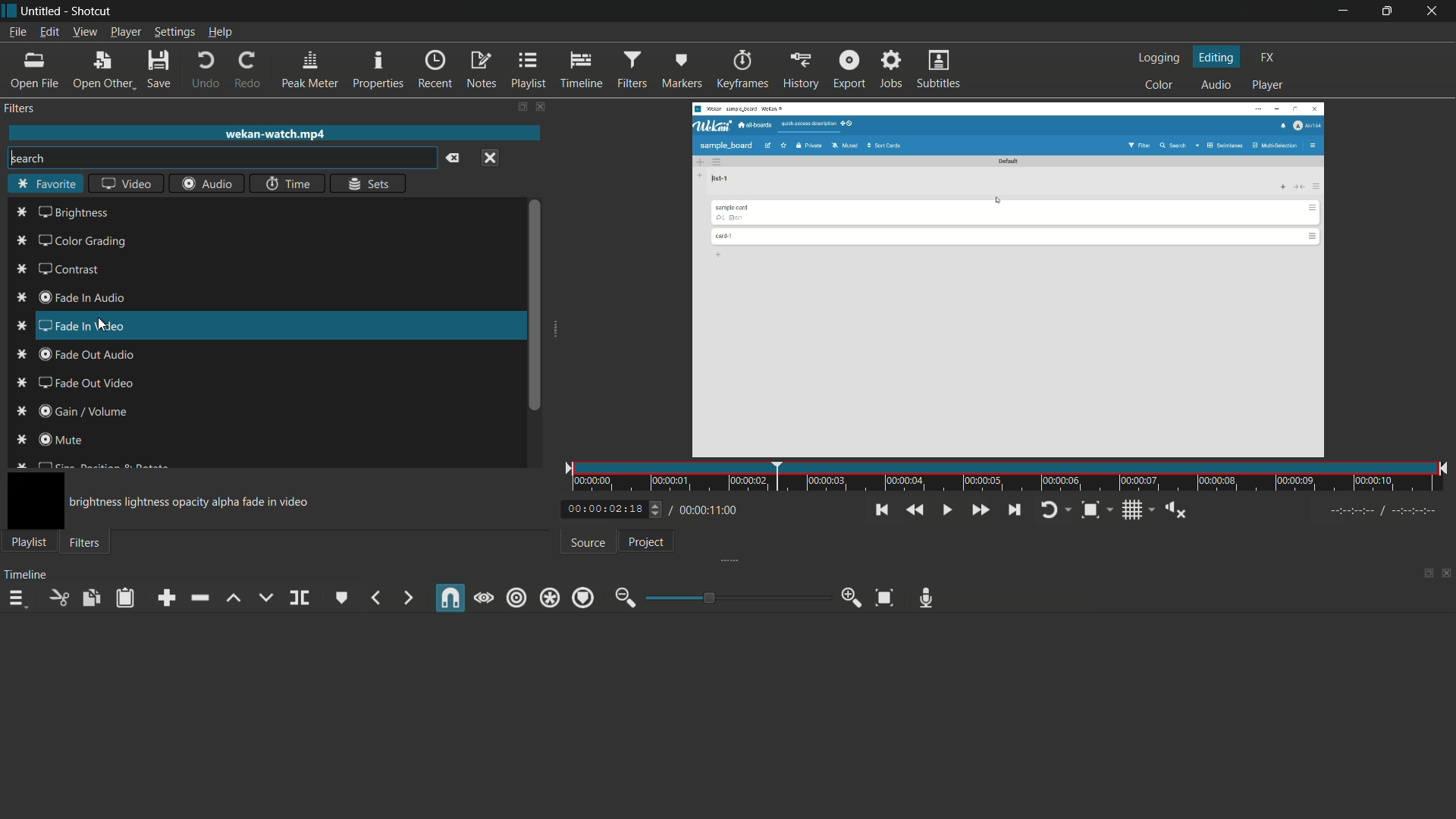  Describe the element at coordinates (377, 598) in the screenshot. I see `previous marker` at that location.